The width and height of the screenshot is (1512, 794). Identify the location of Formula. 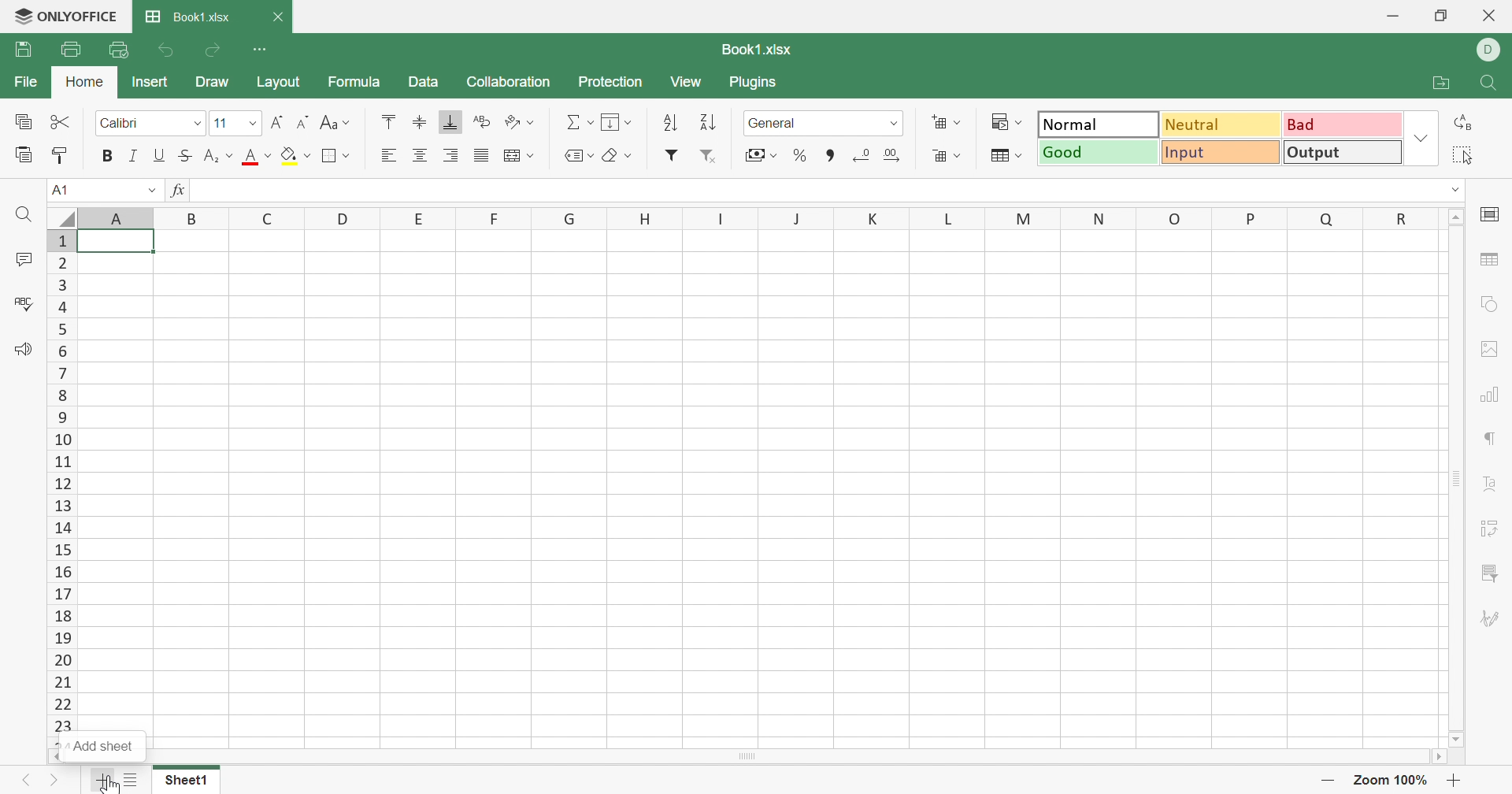
(355, 83).